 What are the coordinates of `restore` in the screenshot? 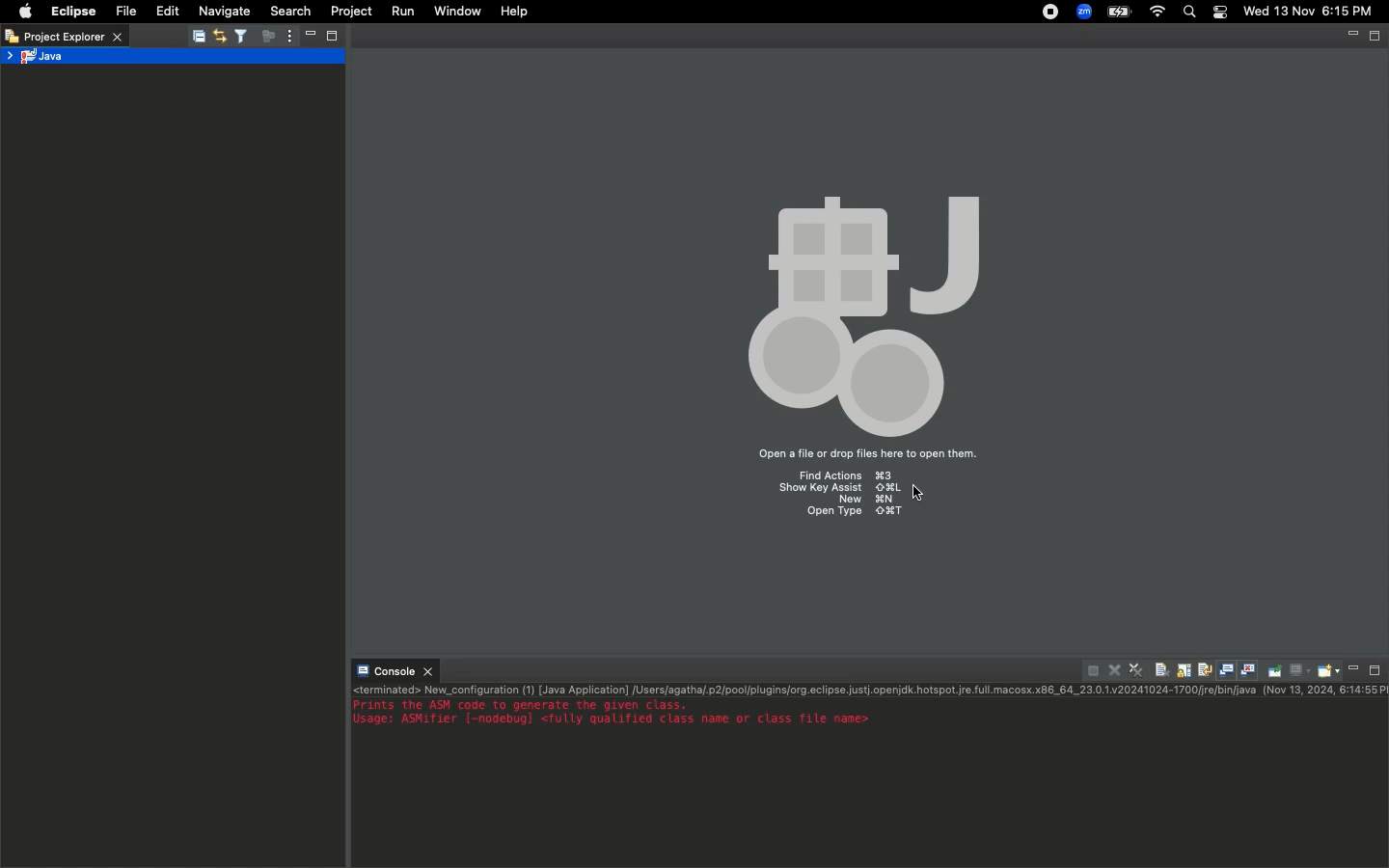 It's located at (1375, 38).